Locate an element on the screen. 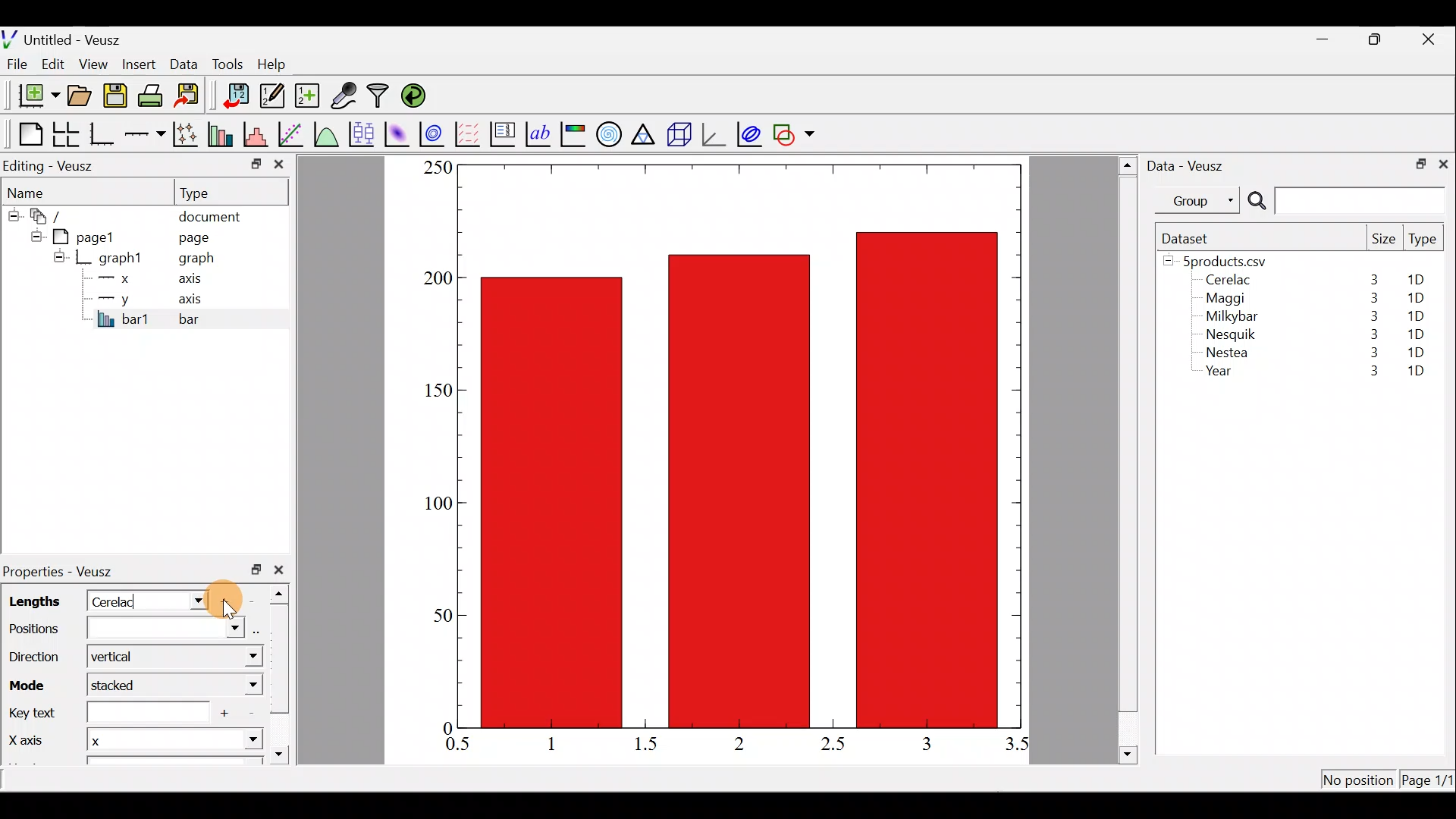  page is located at coordinates (193, 237).